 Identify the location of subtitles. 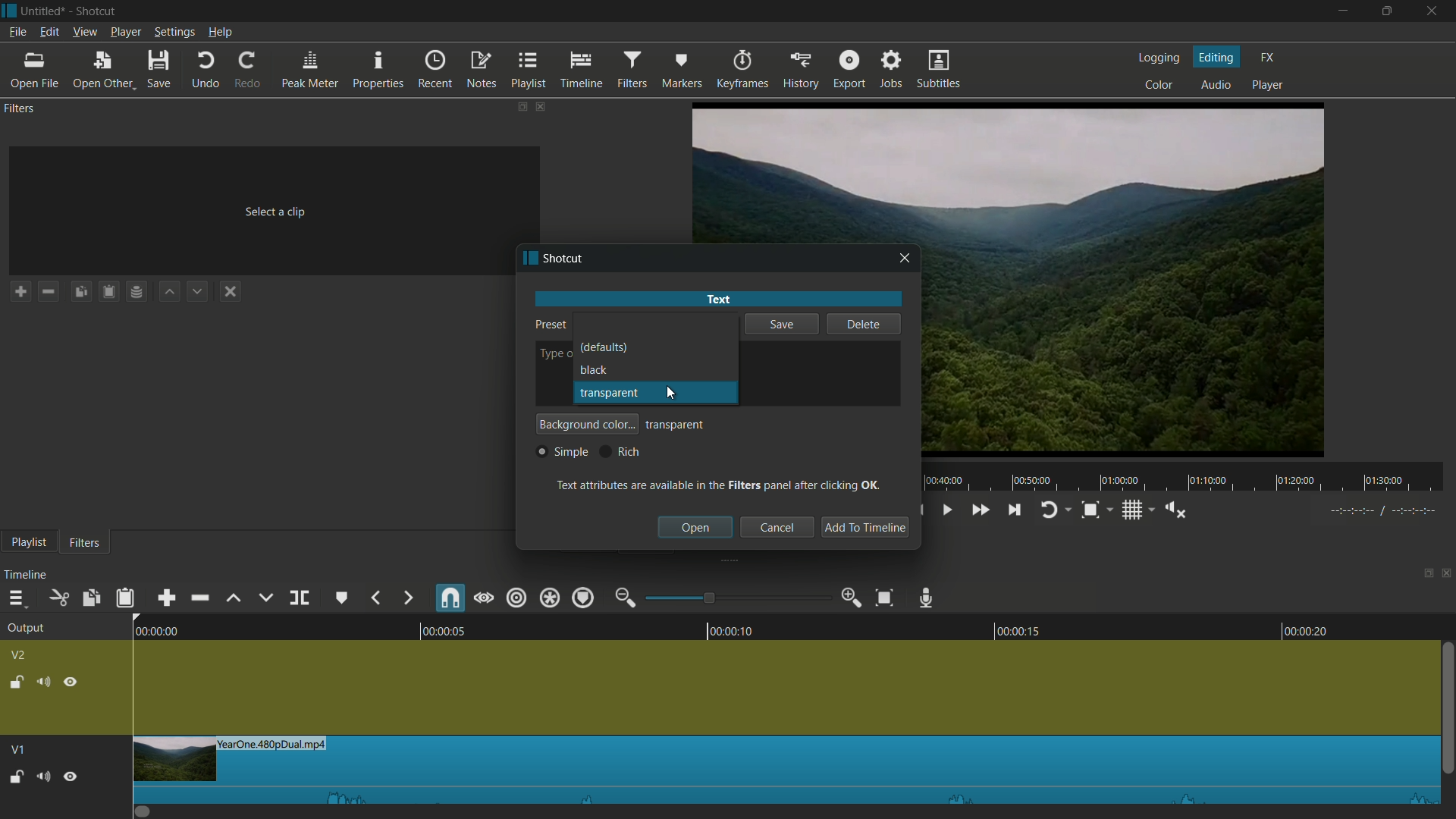
(940, 71).